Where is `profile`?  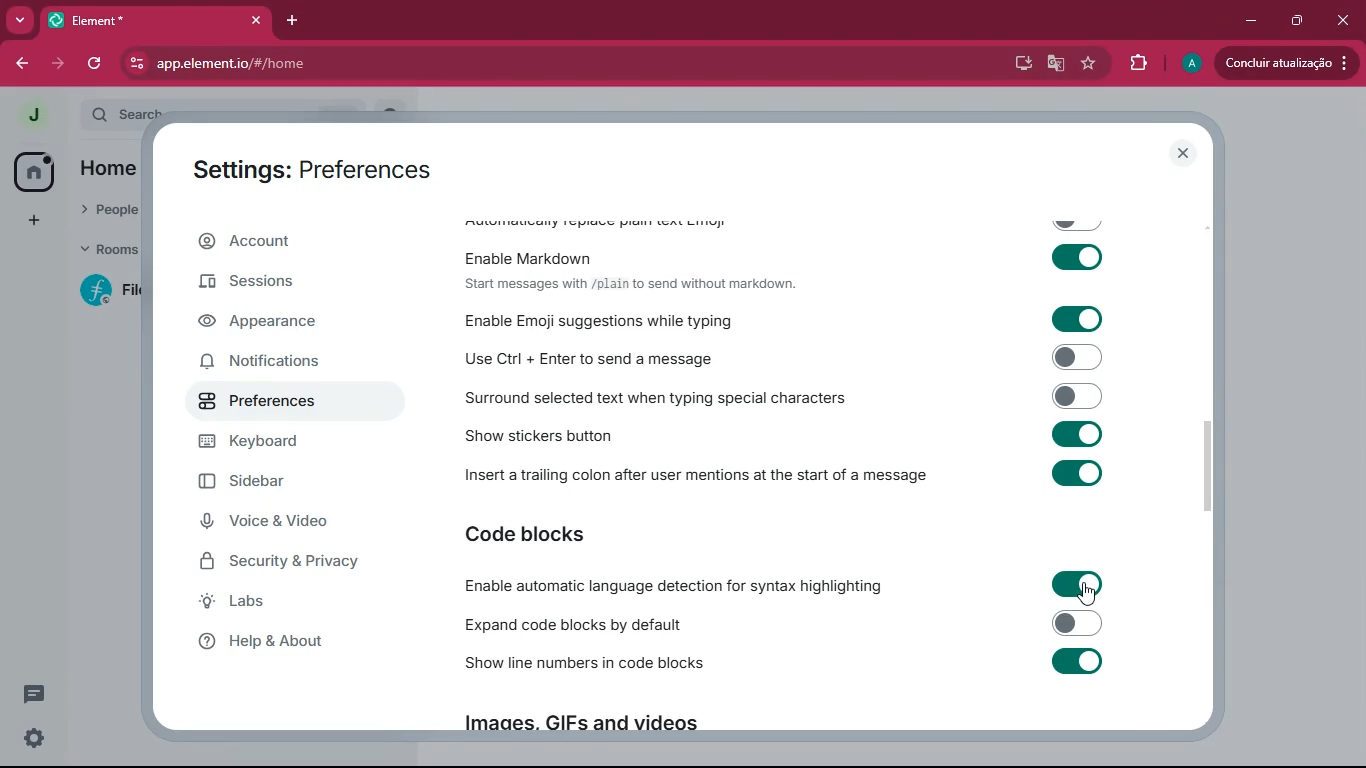
profile is located at coordinates (1191, 64).